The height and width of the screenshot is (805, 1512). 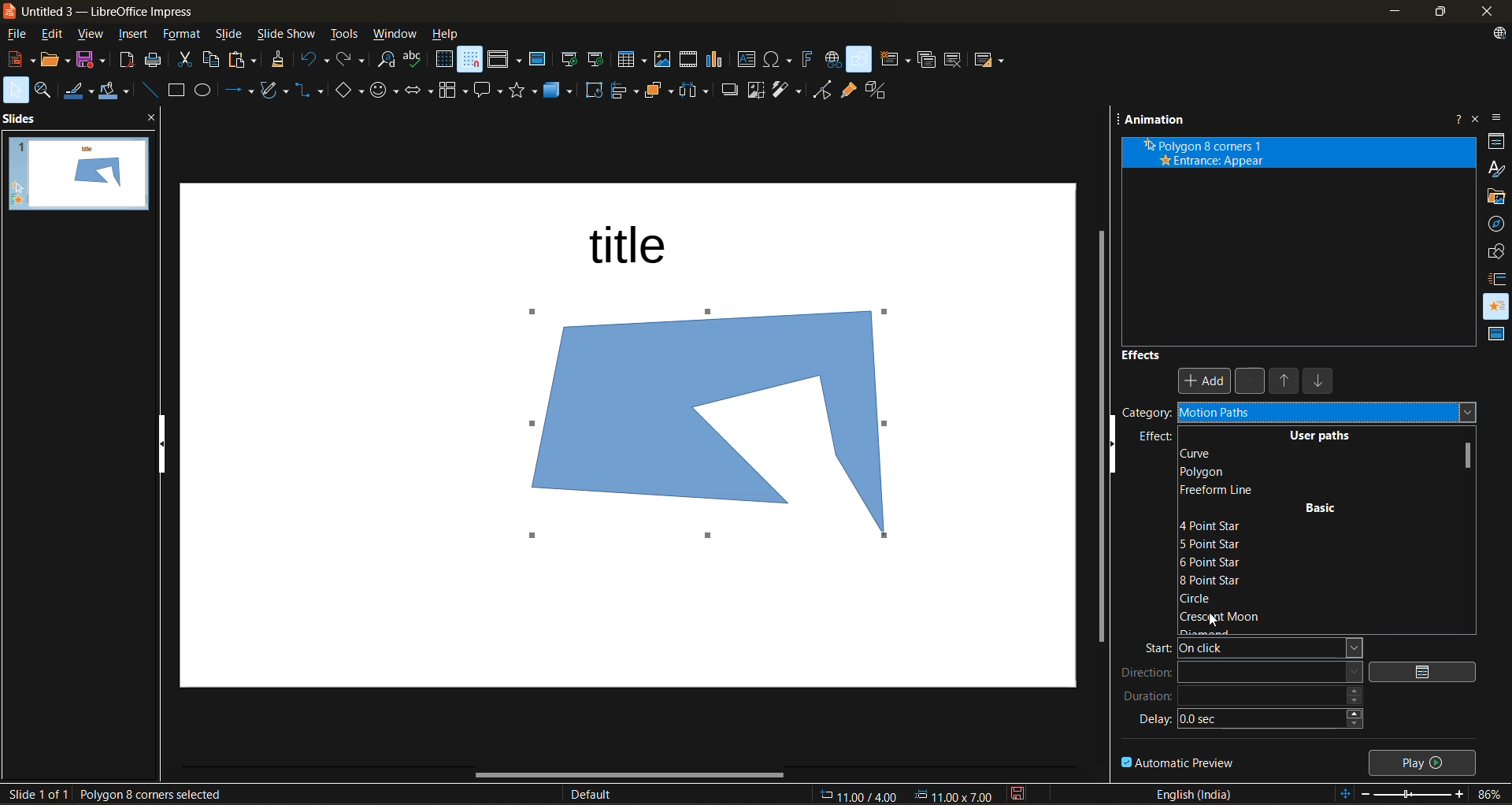 What do you see at coordinates (1342, 792) in the screenshot?
I see `fit to slide` at bounding box center [1342, 792].